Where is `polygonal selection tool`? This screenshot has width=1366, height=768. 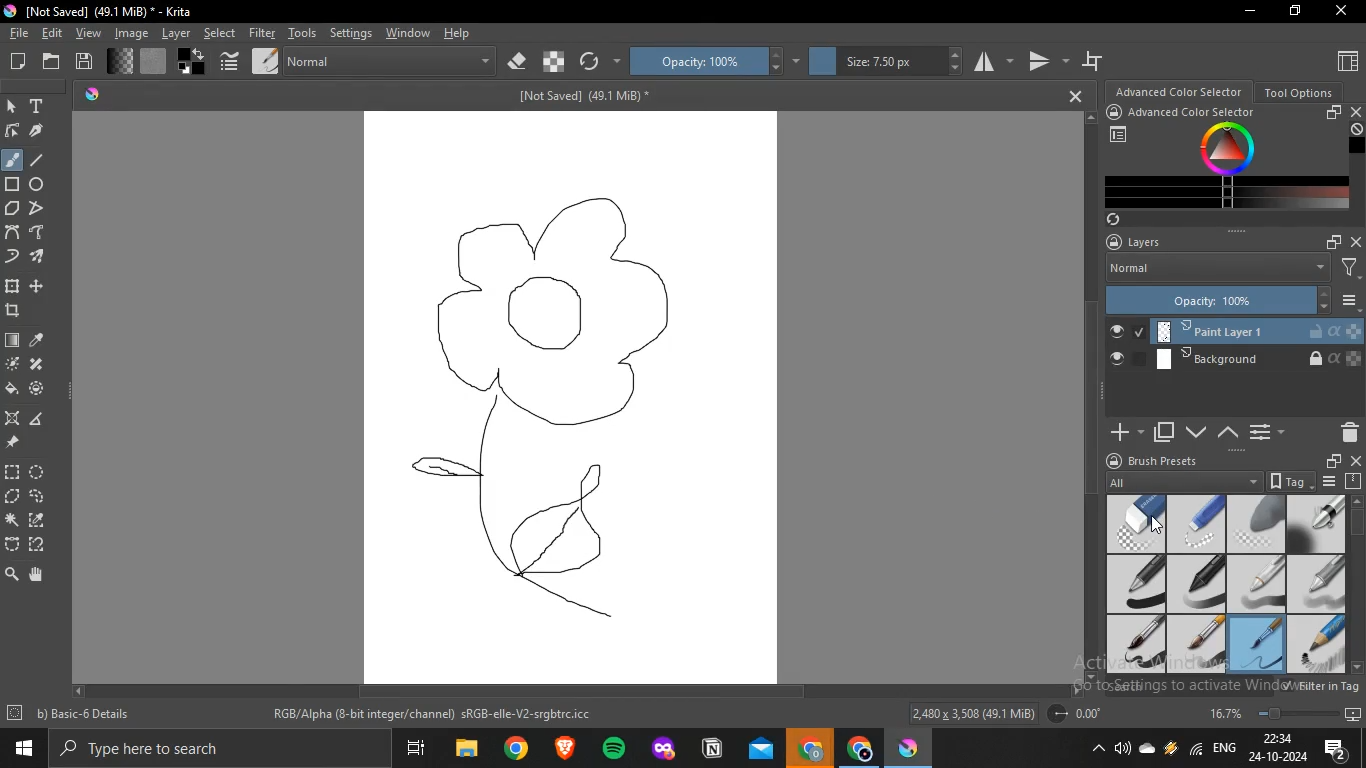
polygonal selection tool is located at coordinates (15, 496).